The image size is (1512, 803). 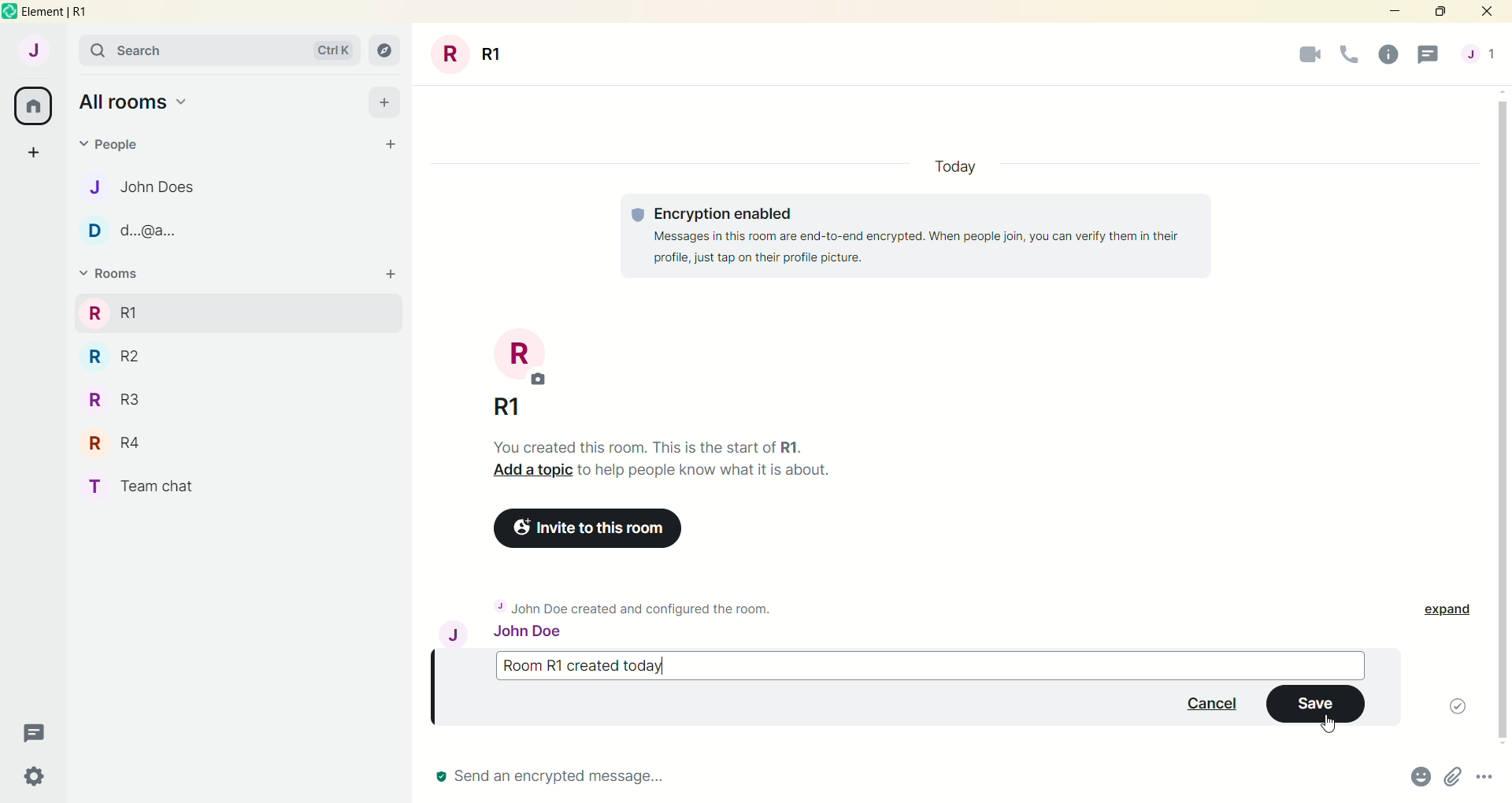 What do you see at coordinates (528, 472) in the screenshot?
I see `Add a topic` at bounding box center [528, 472].